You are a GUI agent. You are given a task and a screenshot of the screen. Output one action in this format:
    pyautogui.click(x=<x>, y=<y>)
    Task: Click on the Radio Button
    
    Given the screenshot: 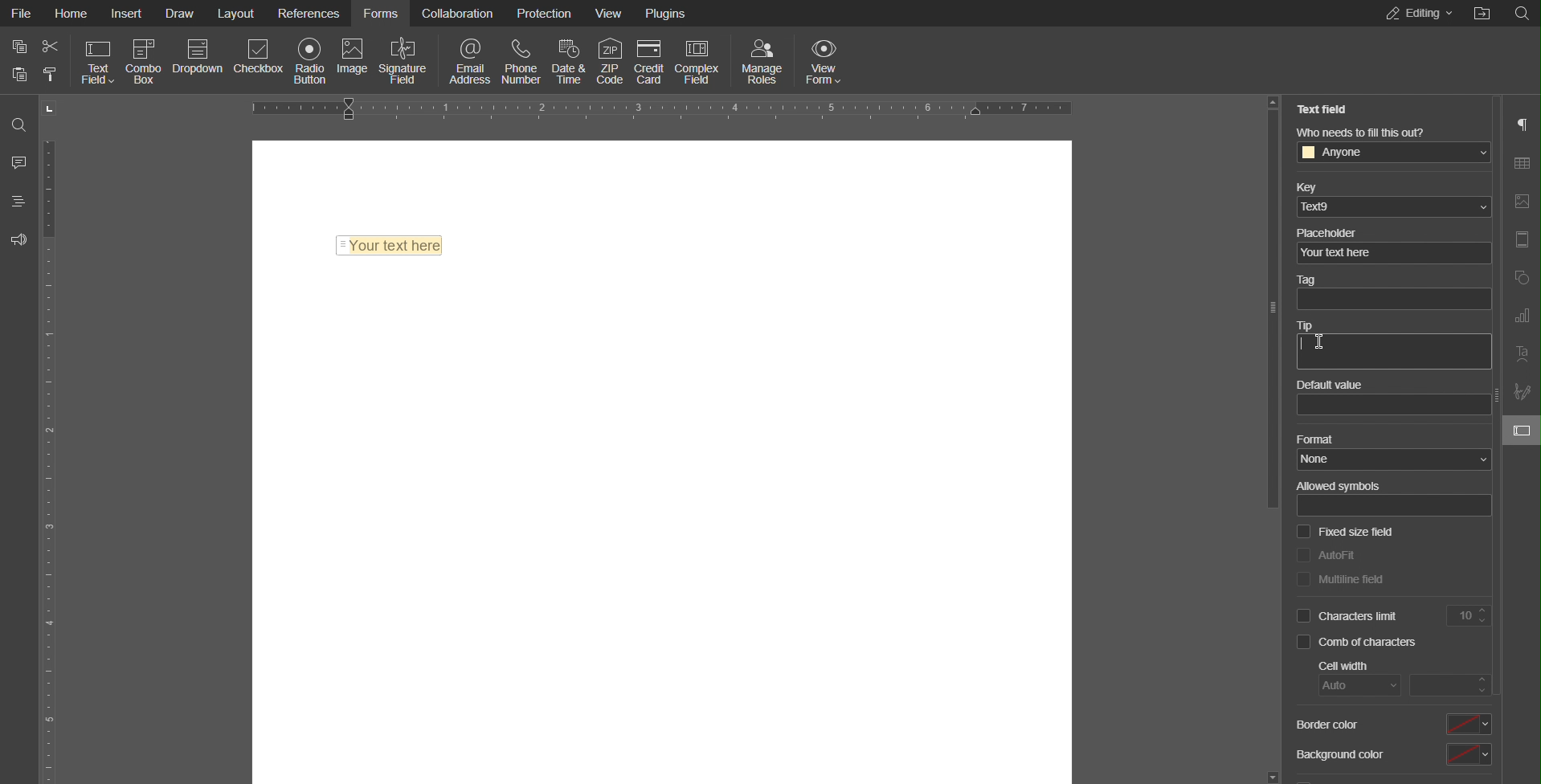 What is the action you would take?
    pyautogui.click(x=311, y=60)
    